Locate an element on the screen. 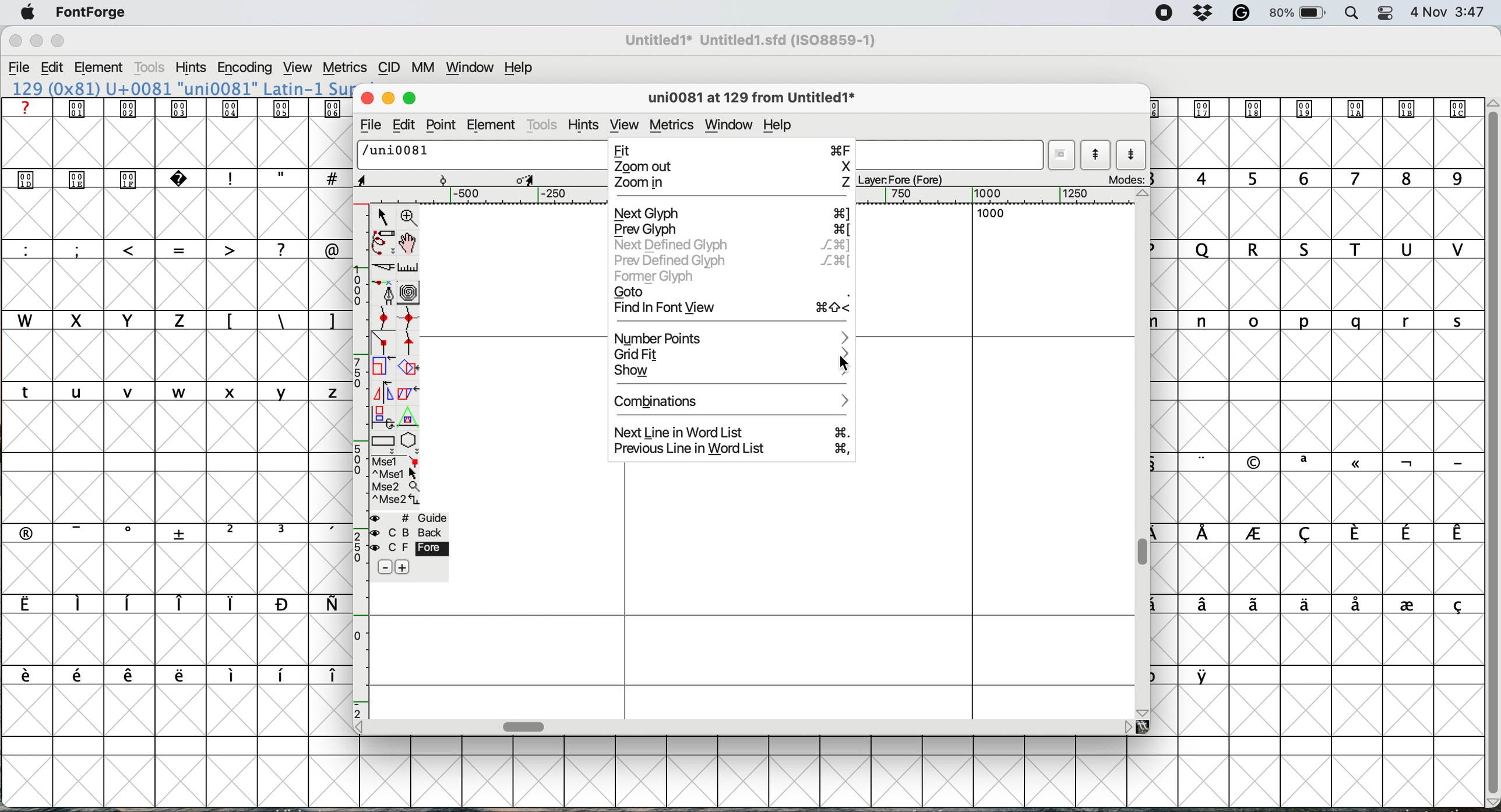 The image size is (1501, 812). add a curve pint is located at coordinates (383, 320).